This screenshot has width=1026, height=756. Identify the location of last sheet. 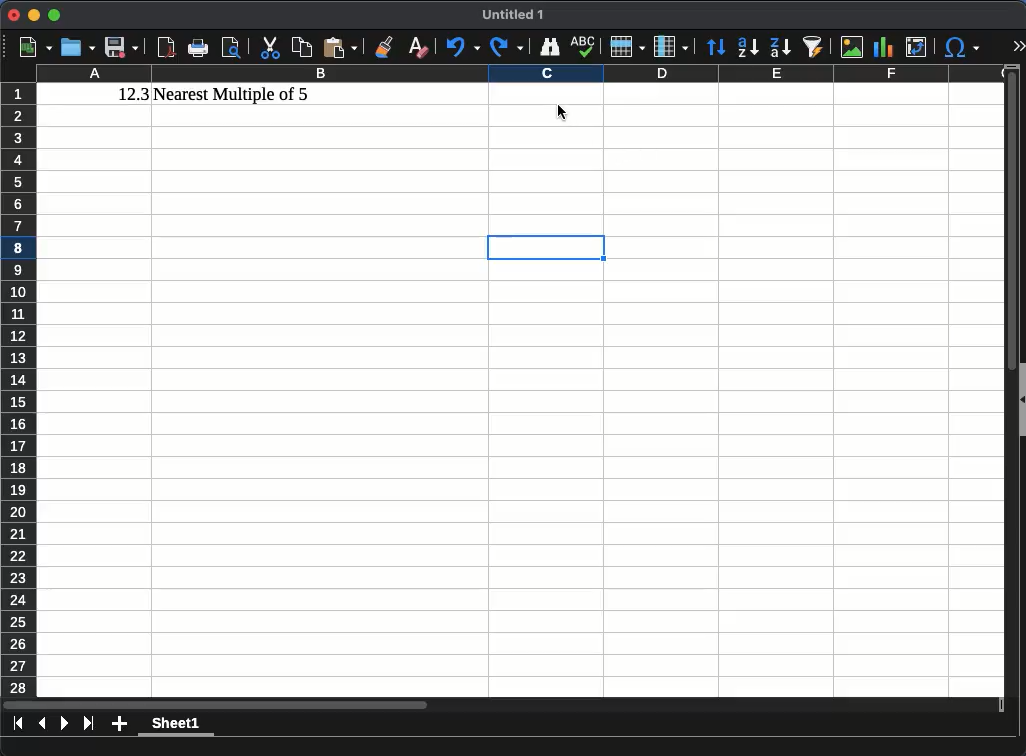
(90, 724).